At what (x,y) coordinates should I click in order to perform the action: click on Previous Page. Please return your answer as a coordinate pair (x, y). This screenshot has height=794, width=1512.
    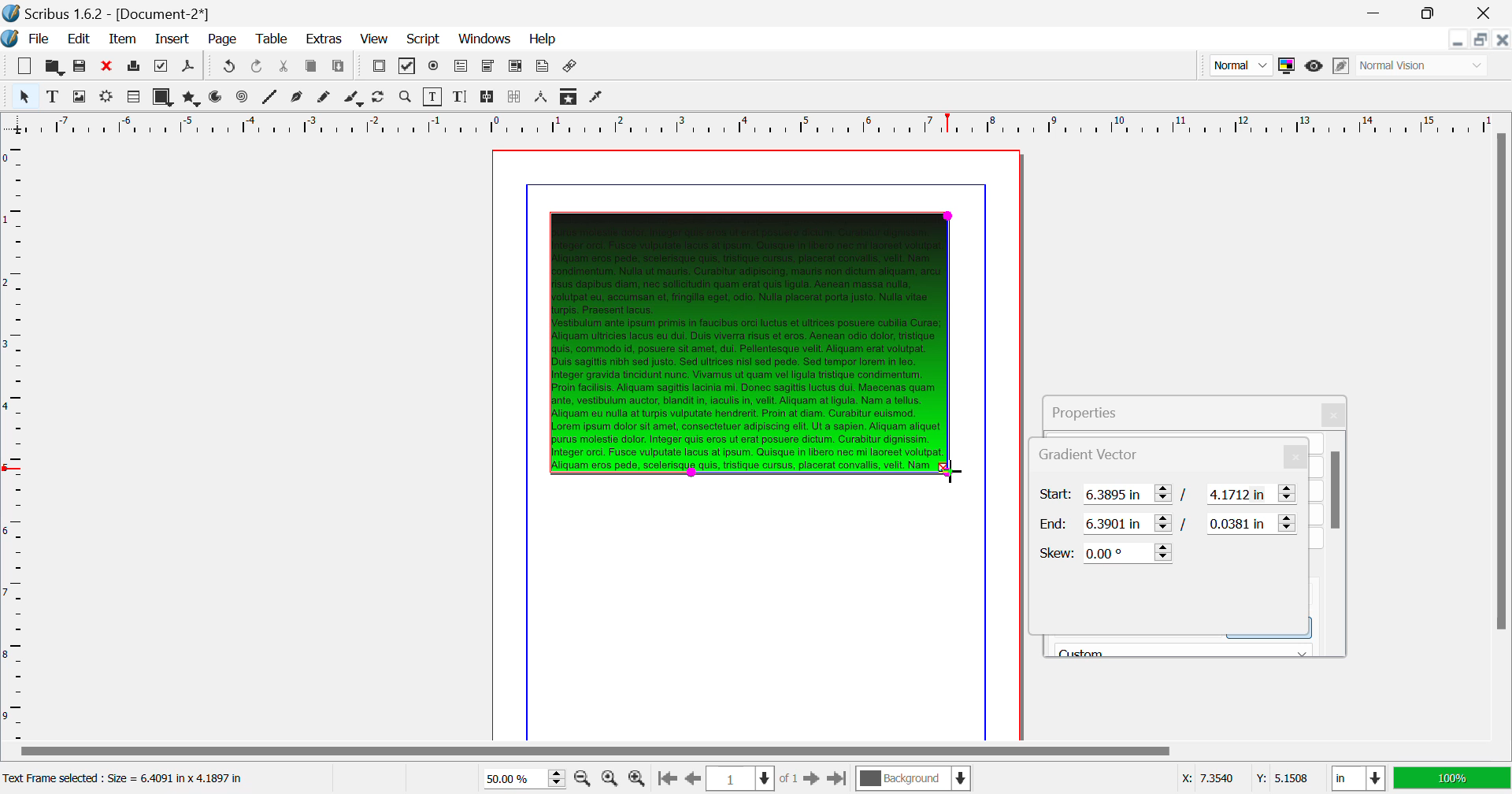
    Looking at the image, I should click on (691, 779).